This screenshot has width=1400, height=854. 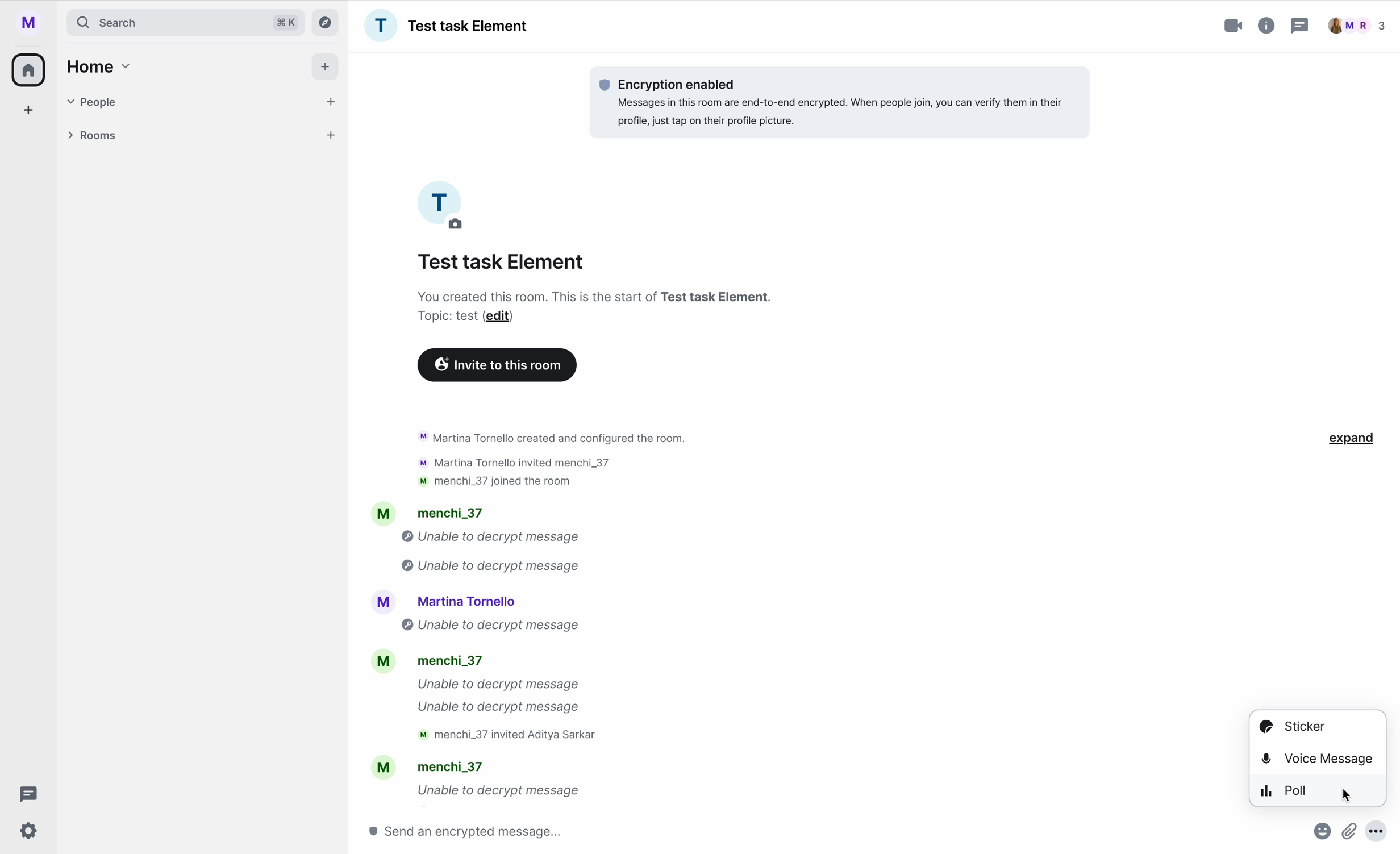 I want to click on invite to this room button, so click(x=497, y=365).